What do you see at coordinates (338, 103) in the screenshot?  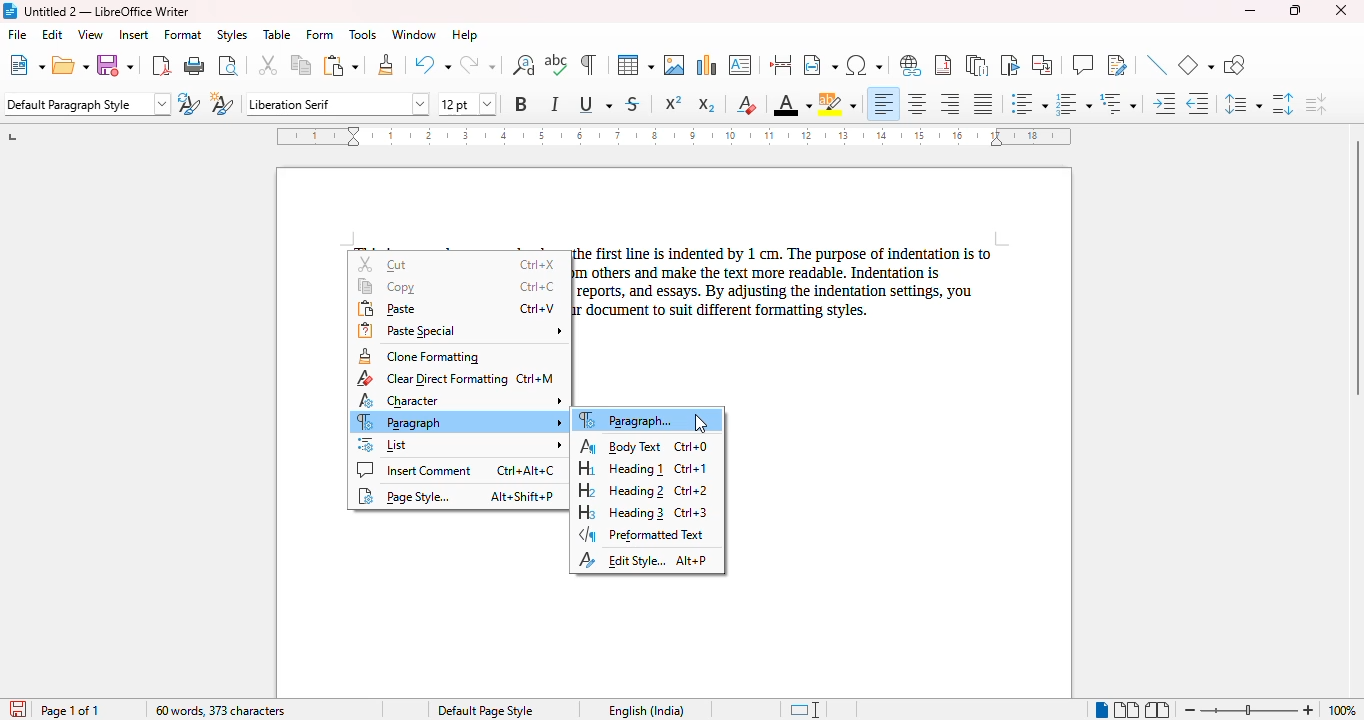 I see `font name` at bounding box center [338, 103].